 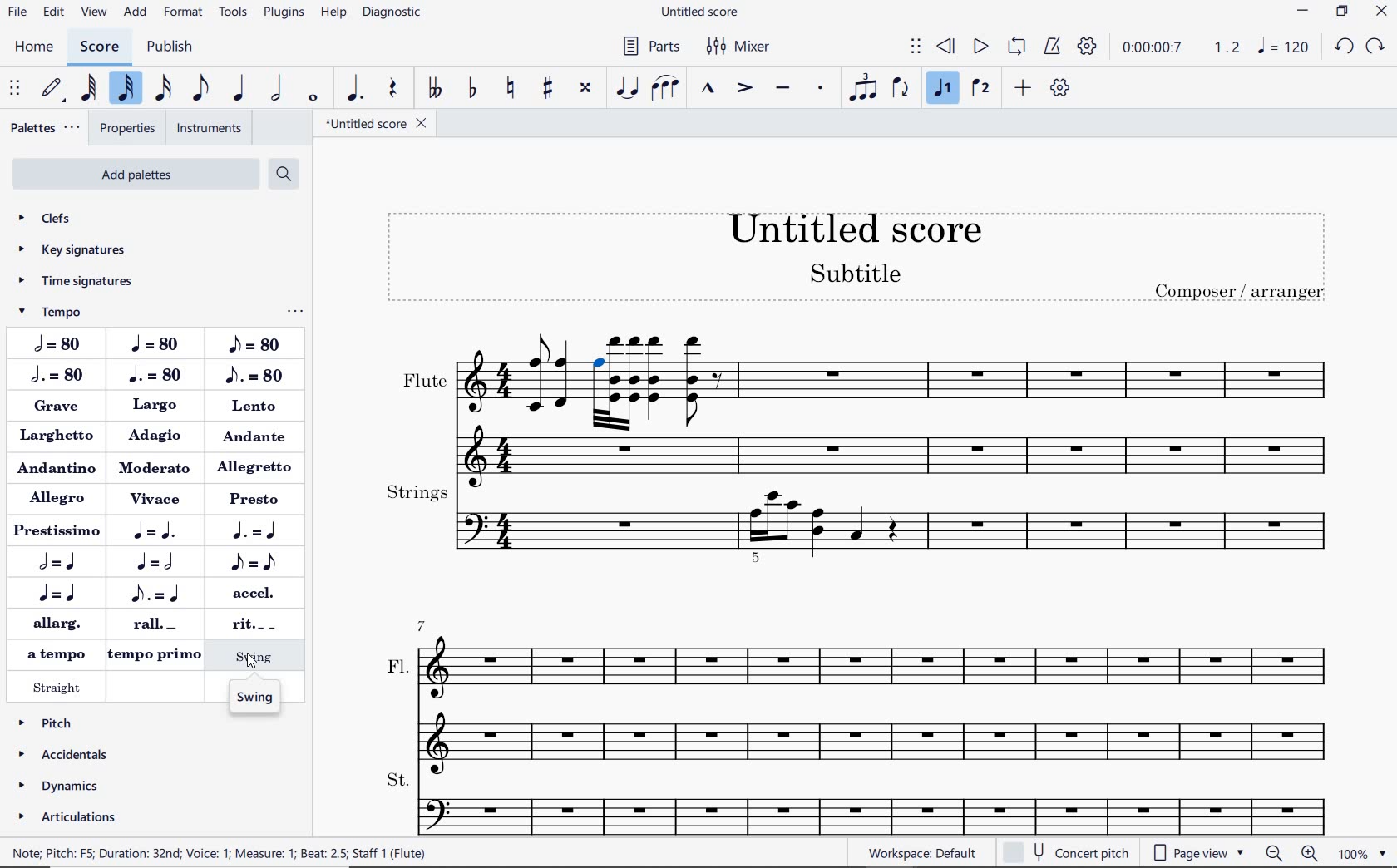 What do you see at coordinates (247, 624) in the screenshot?
I see `RIT.` at bounding box center [247, 624].